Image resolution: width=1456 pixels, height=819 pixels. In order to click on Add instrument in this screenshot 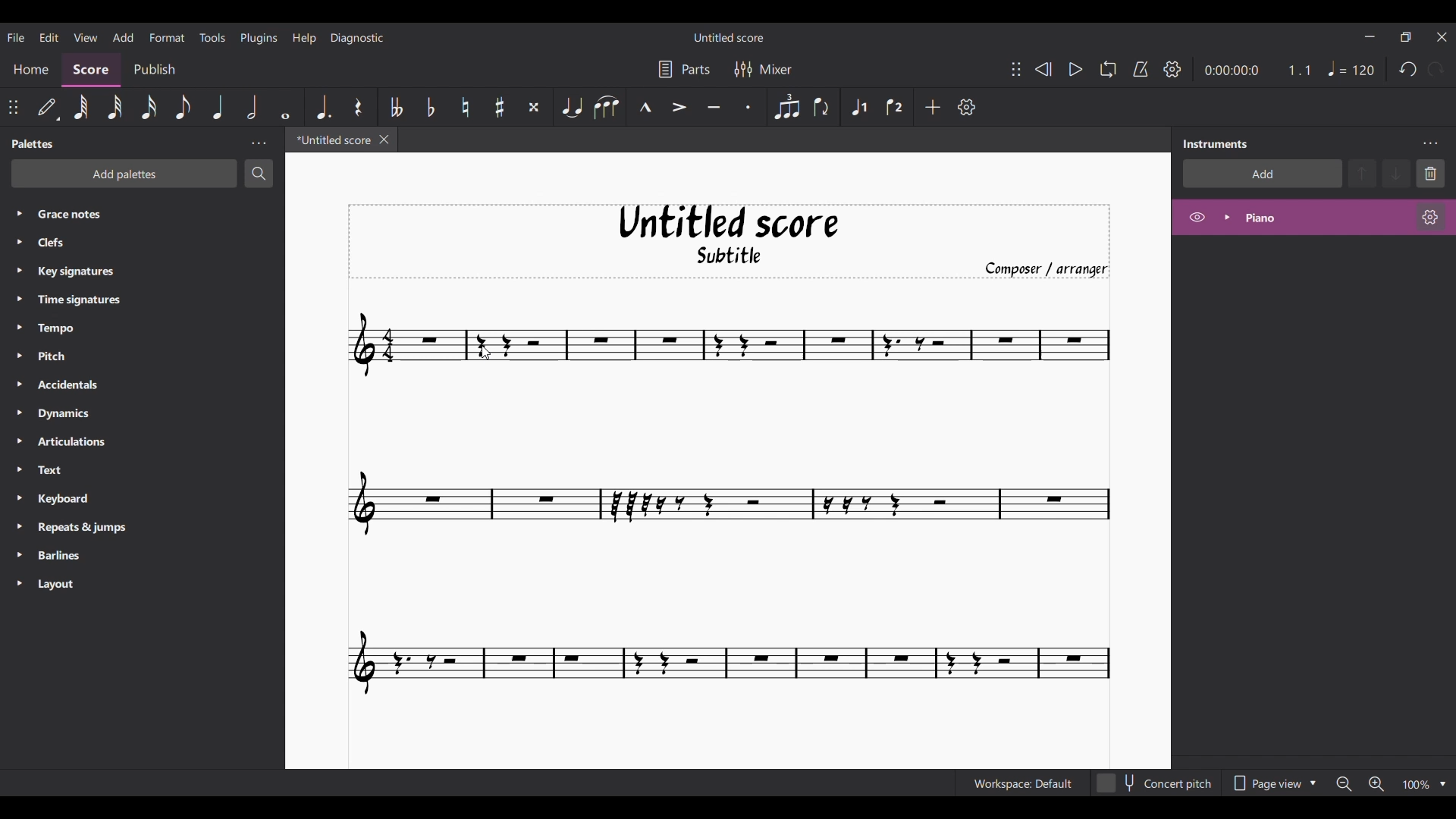, I will do `click(1263, 174)`.